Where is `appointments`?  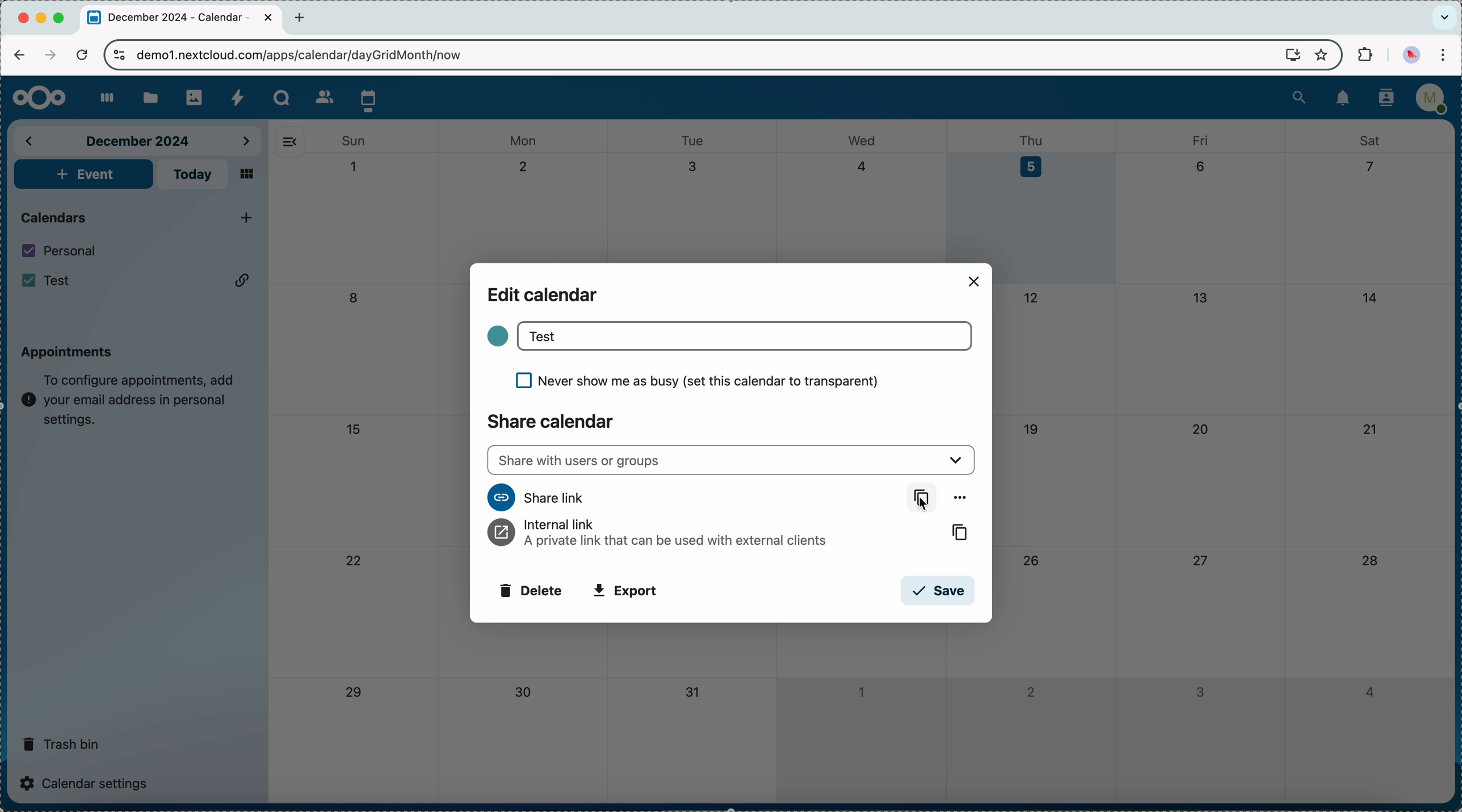
appointments is located at coordinates (68, 349).